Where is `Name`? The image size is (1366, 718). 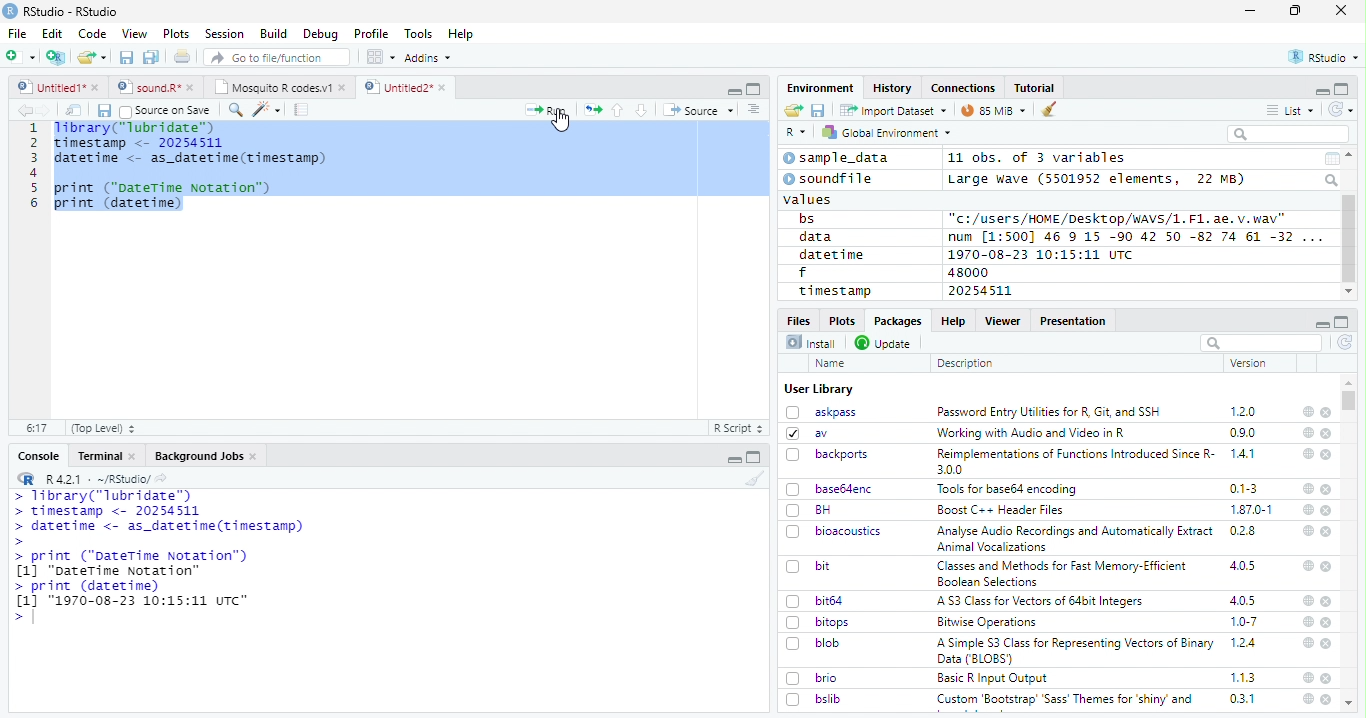
Name is located at coordinates (832, 364).